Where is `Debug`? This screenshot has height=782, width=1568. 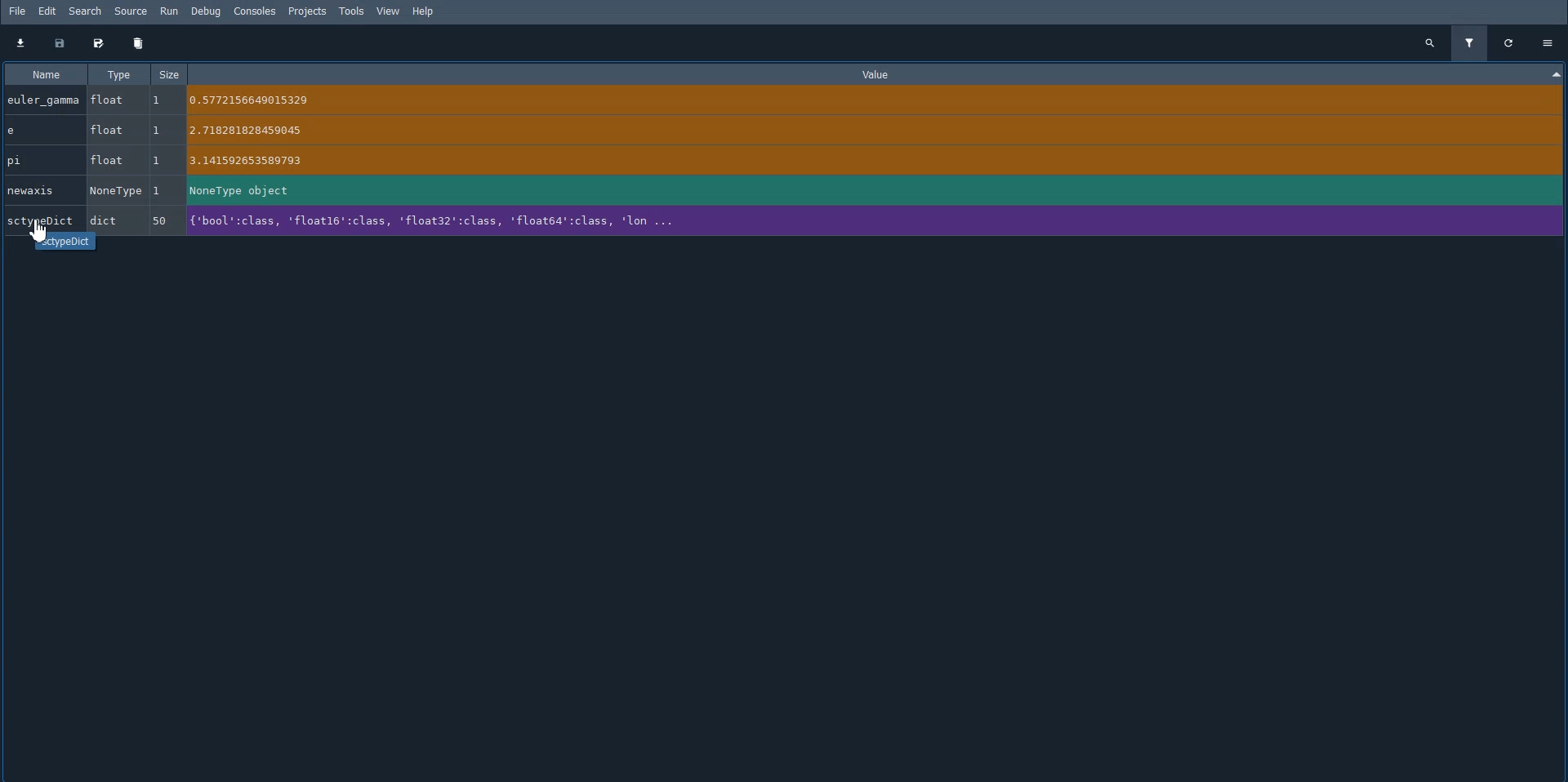
Debug is located at coordinates (208, 10).